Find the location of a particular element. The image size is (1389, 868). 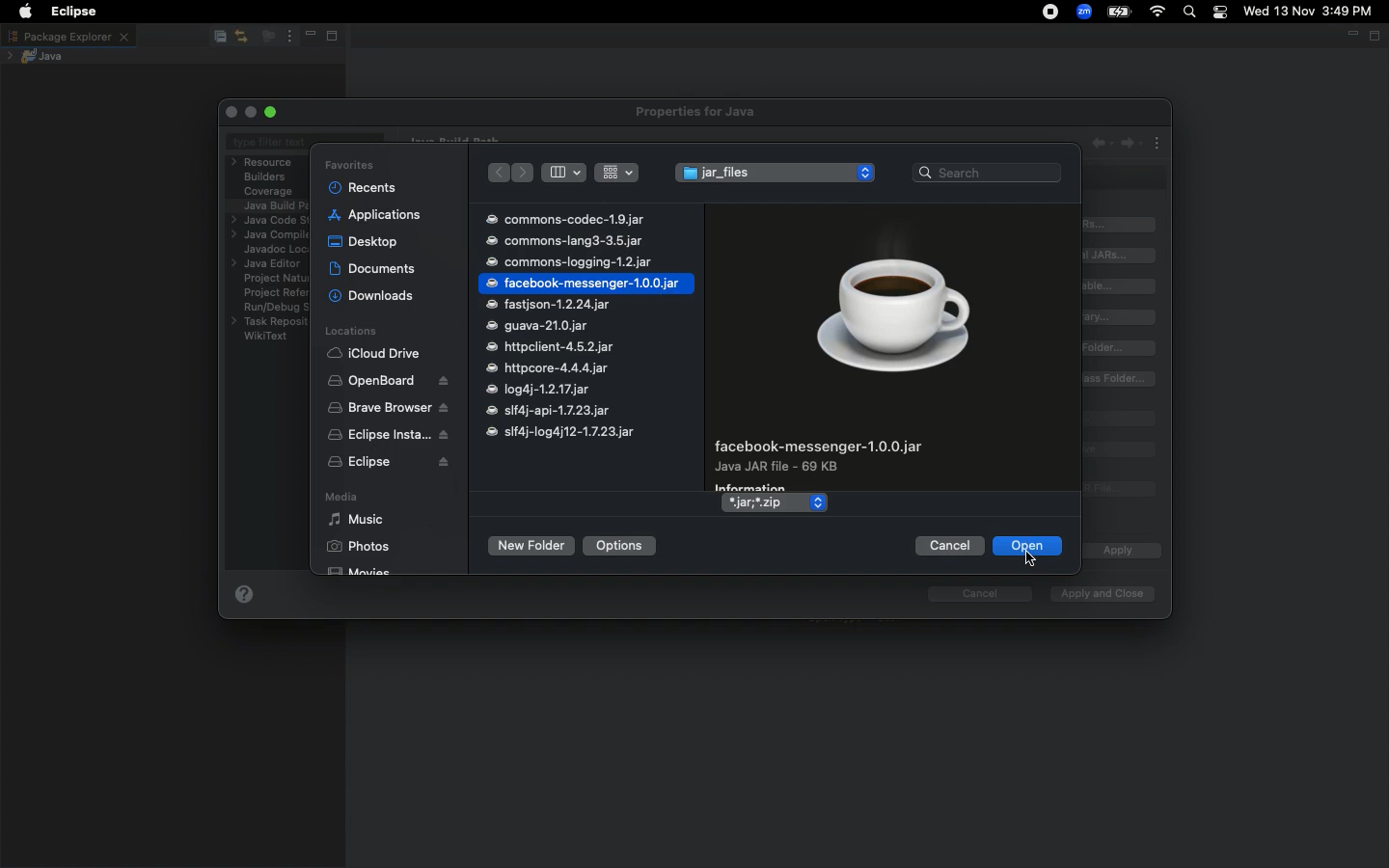

Type filter text is located at coordinates (270, 144).